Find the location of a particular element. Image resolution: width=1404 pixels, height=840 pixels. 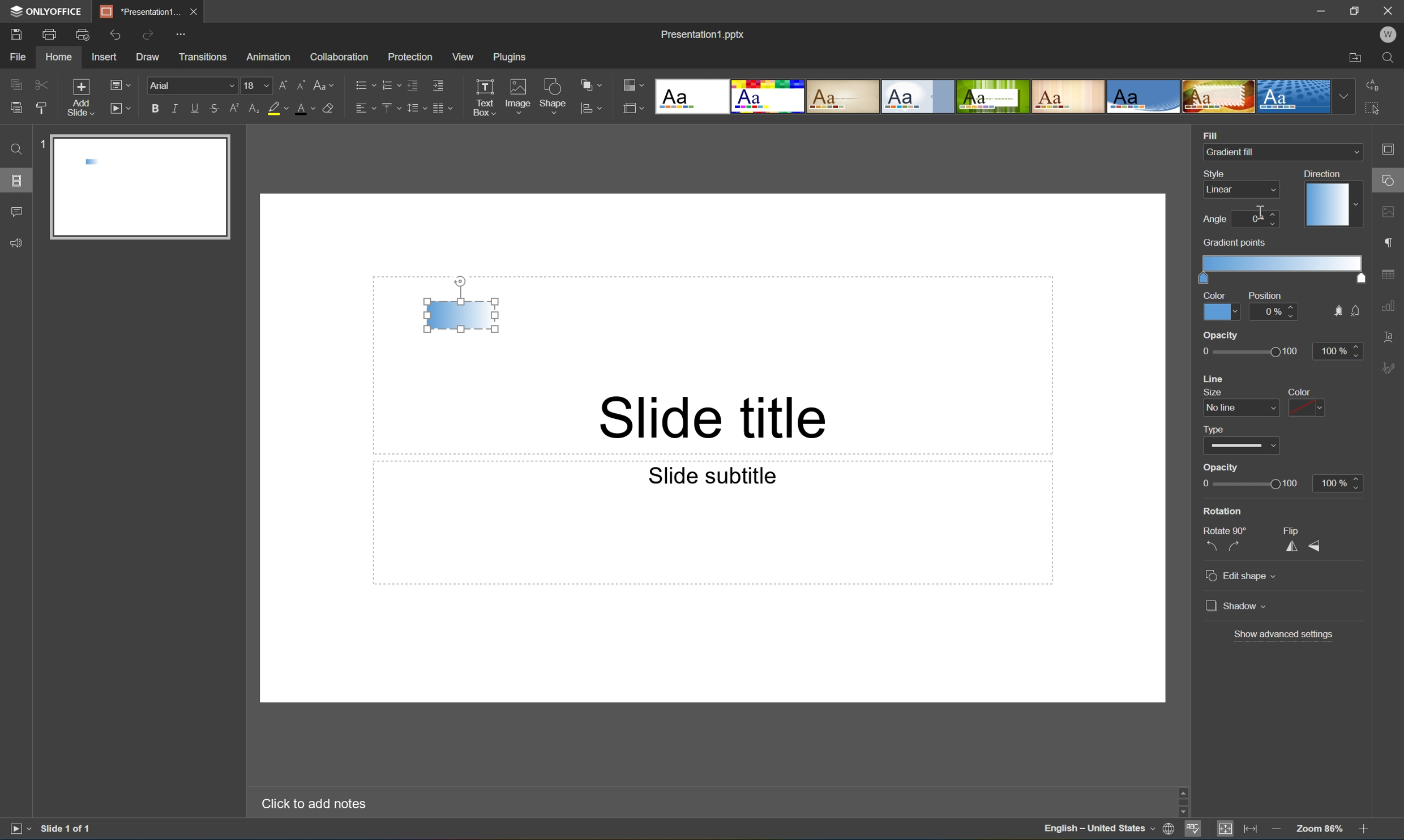

Insert is located at coordinates (104, 57).